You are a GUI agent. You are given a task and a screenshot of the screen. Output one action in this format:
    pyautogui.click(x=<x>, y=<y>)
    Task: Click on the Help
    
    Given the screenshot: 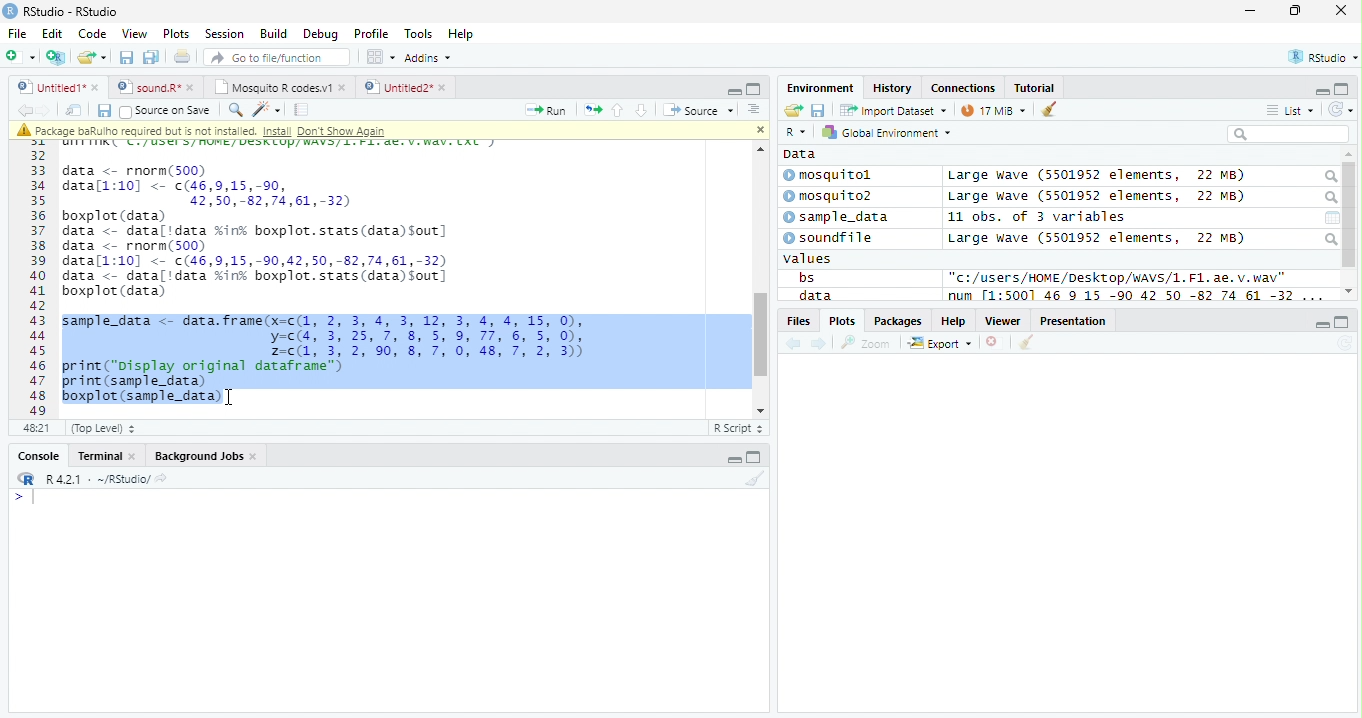 What is the action you would take?
    pyautogui.click(x=954, y=320)
    